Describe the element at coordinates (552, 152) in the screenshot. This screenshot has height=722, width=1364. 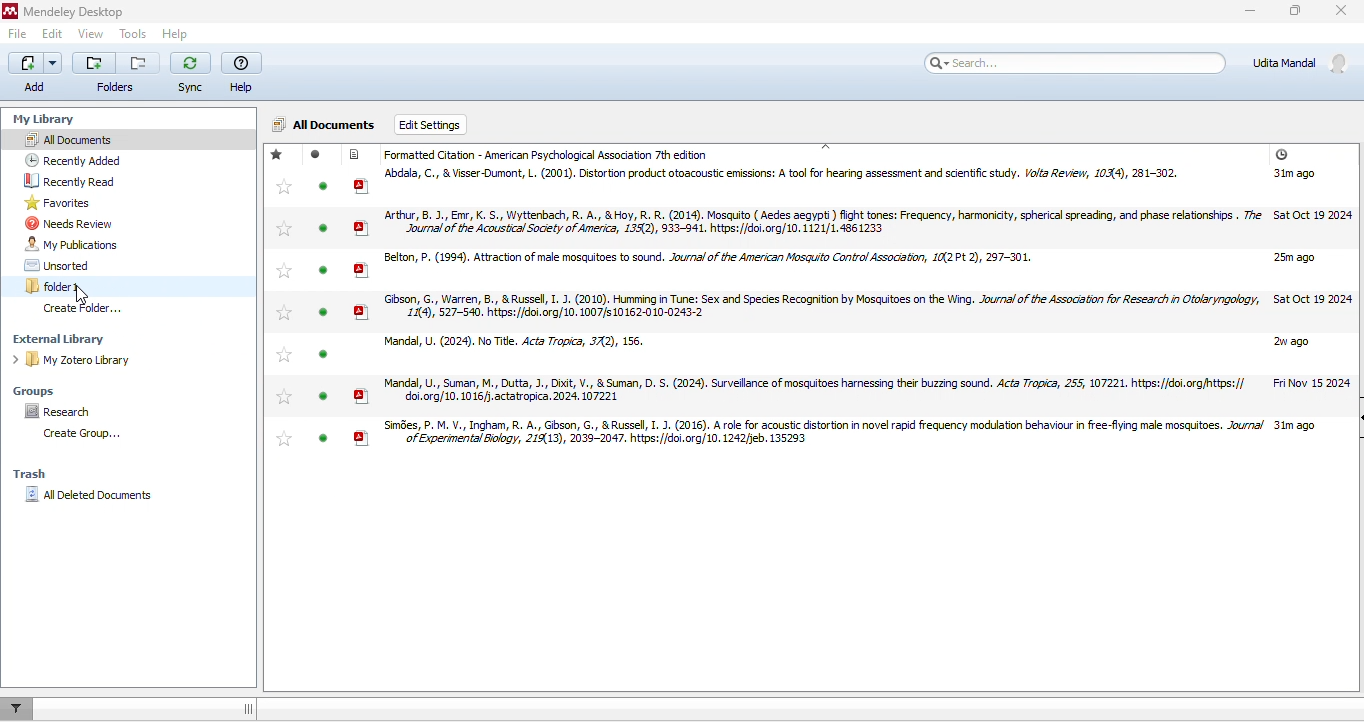
I see `formatted citation APA 7 th` at that location.